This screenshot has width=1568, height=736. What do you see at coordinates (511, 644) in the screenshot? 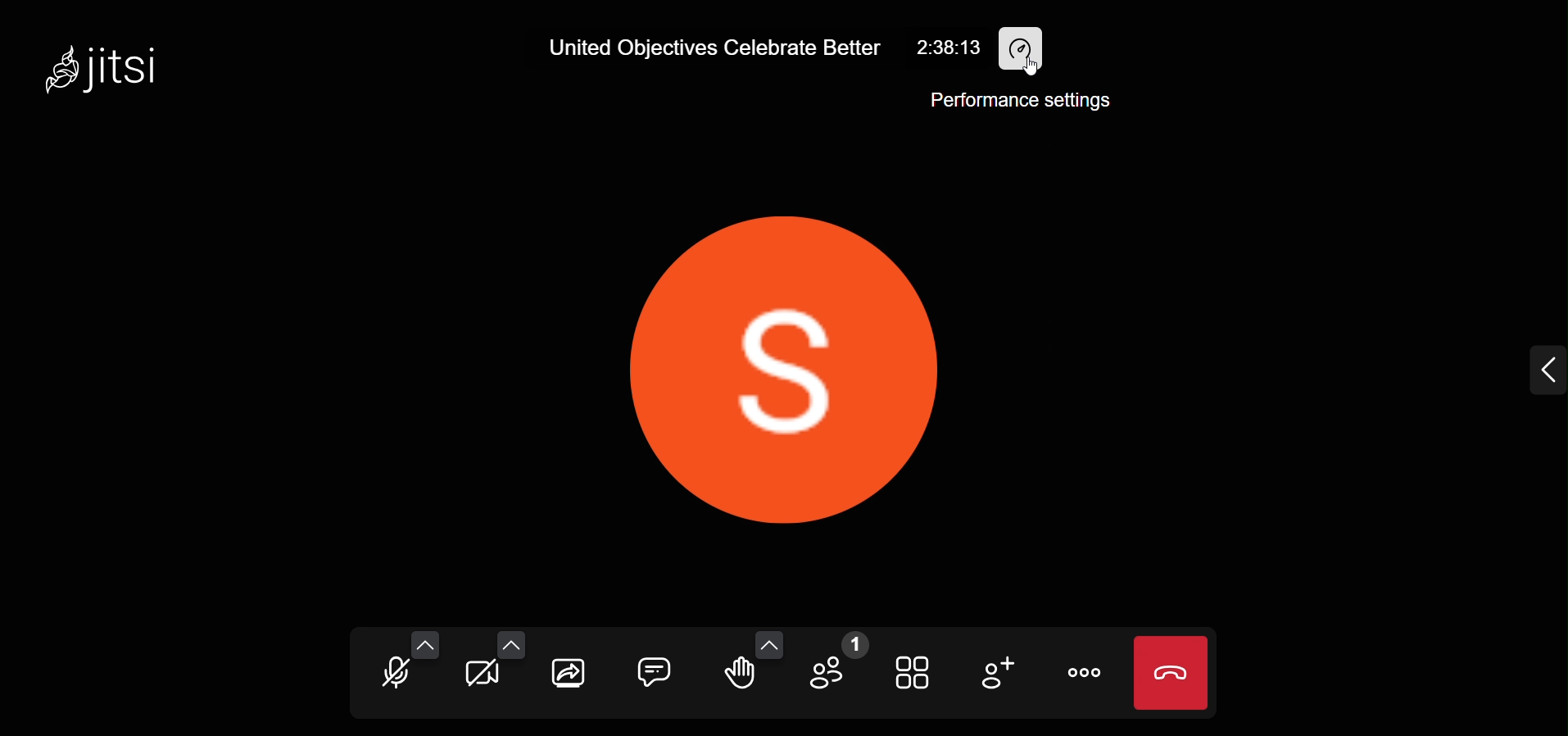
I see `more video option` at bounding box center [511, 644].